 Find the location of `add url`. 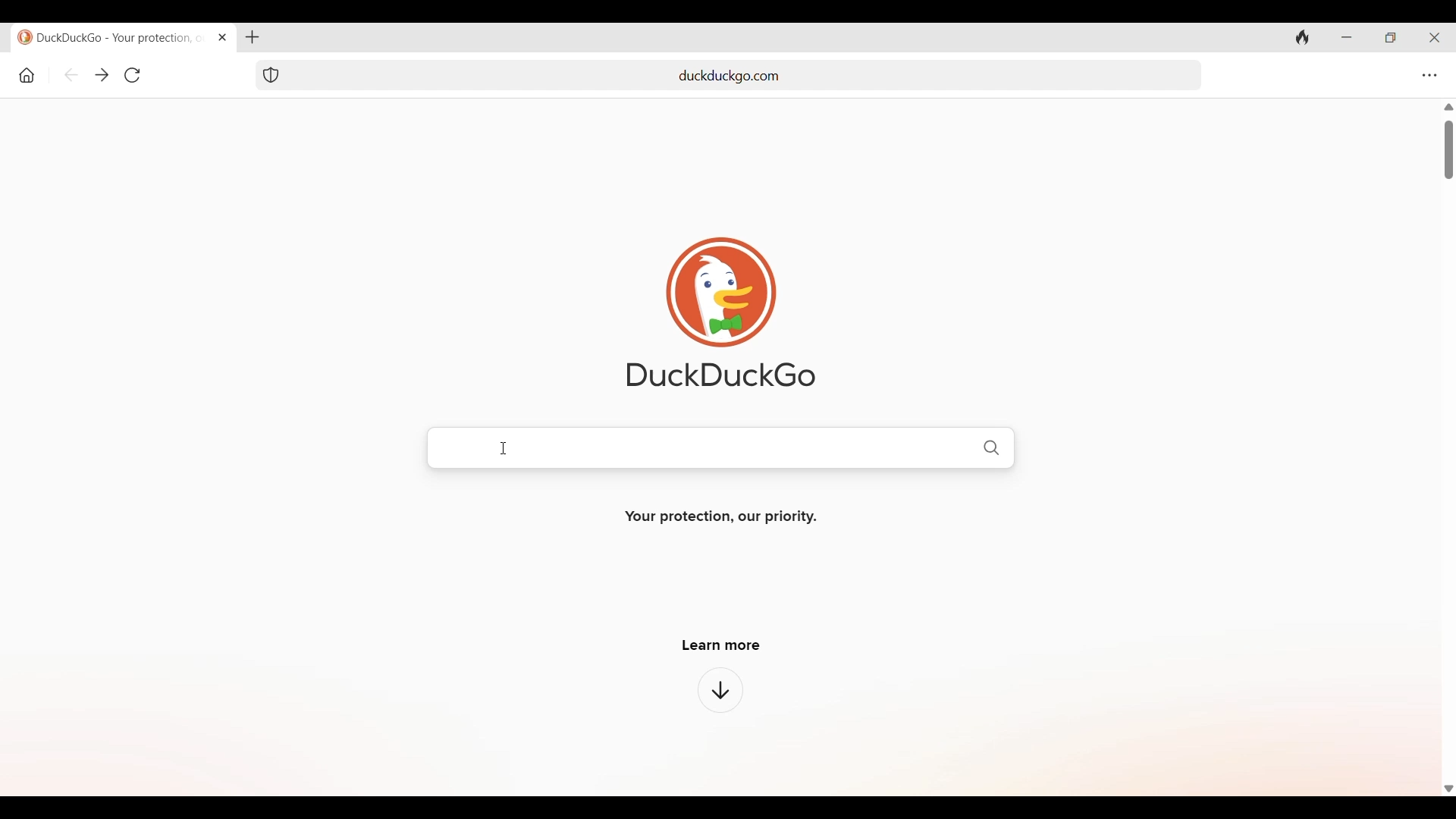

add url is located at coordinates (743, 76).